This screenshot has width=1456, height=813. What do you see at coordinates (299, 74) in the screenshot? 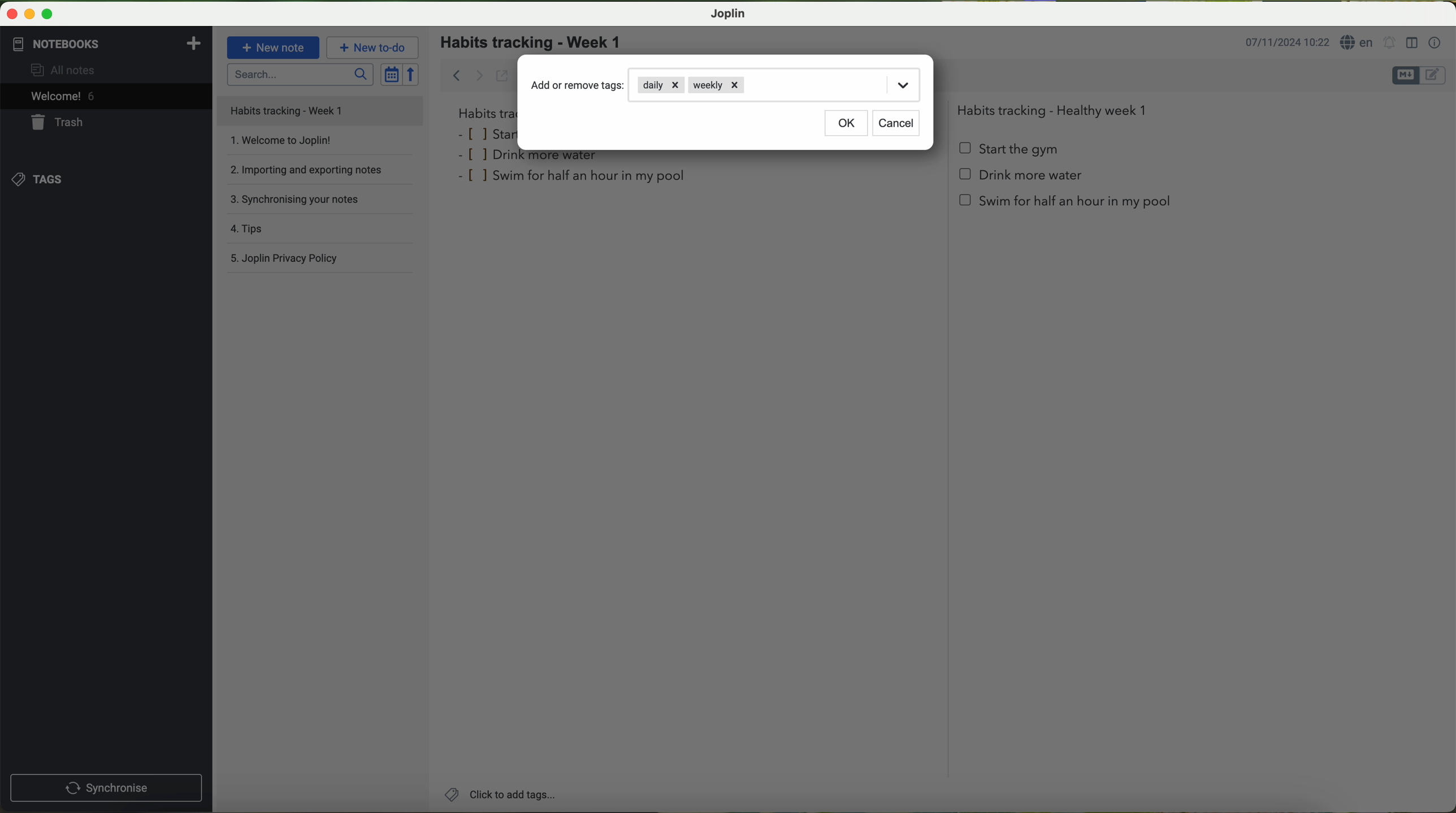
I see `search bar` at bounding box center [299, 74].